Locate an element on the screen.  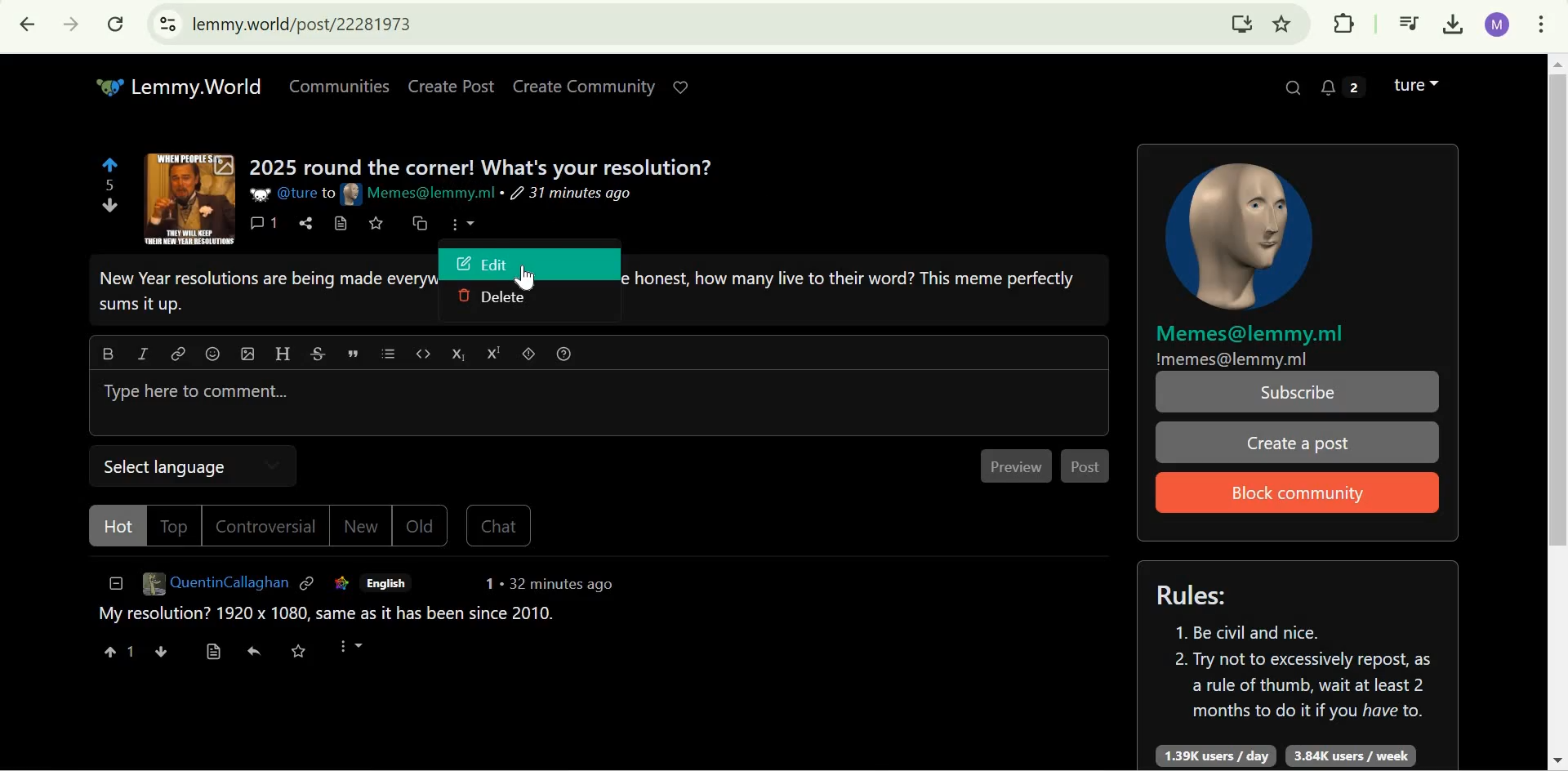
Communities is located at coordinates (339, 87).